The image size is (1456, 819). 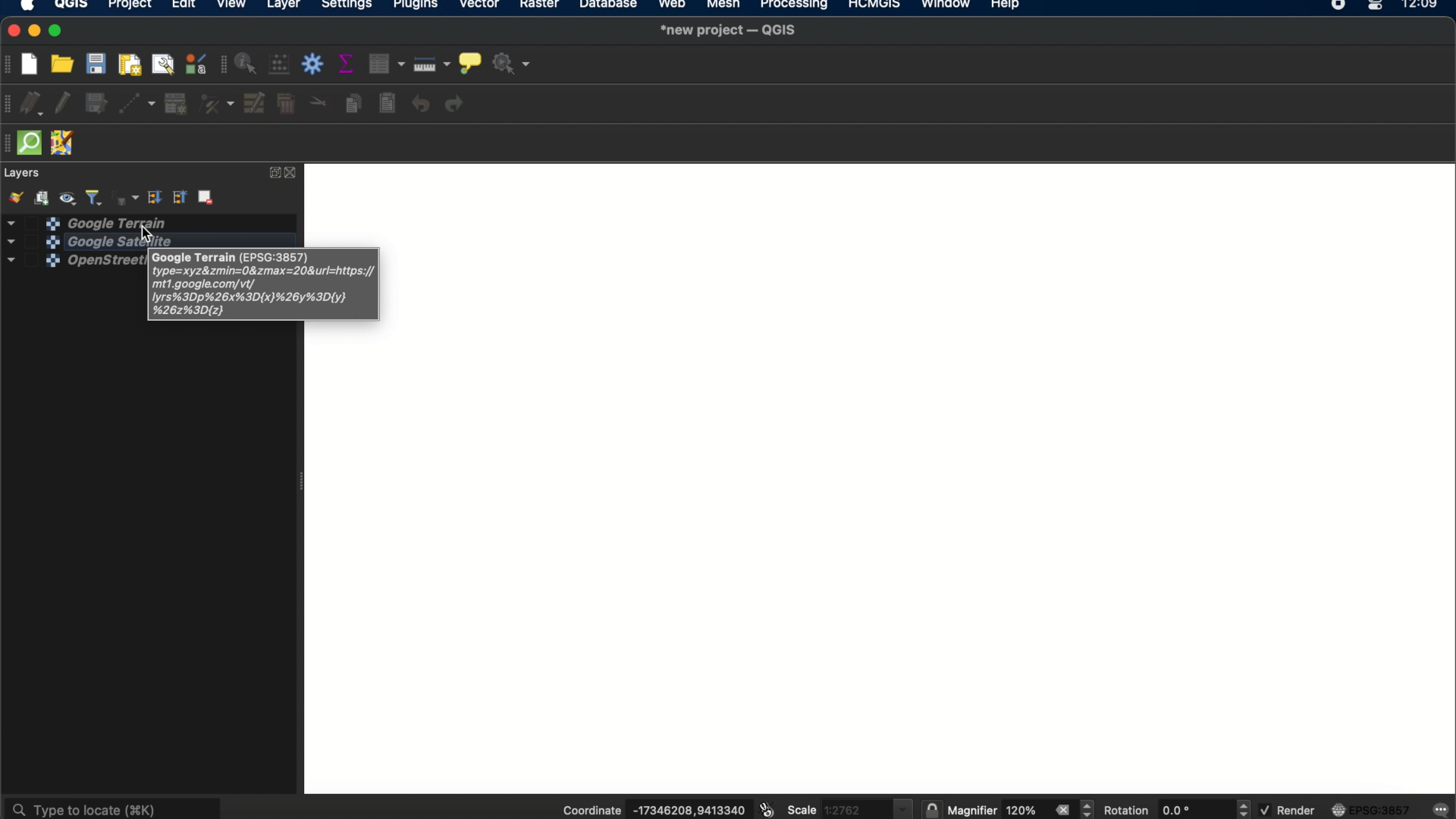 What do you see at coordinates (1287, 810) in the screenshot?
I see `render` at bounding box center [1287, 810].